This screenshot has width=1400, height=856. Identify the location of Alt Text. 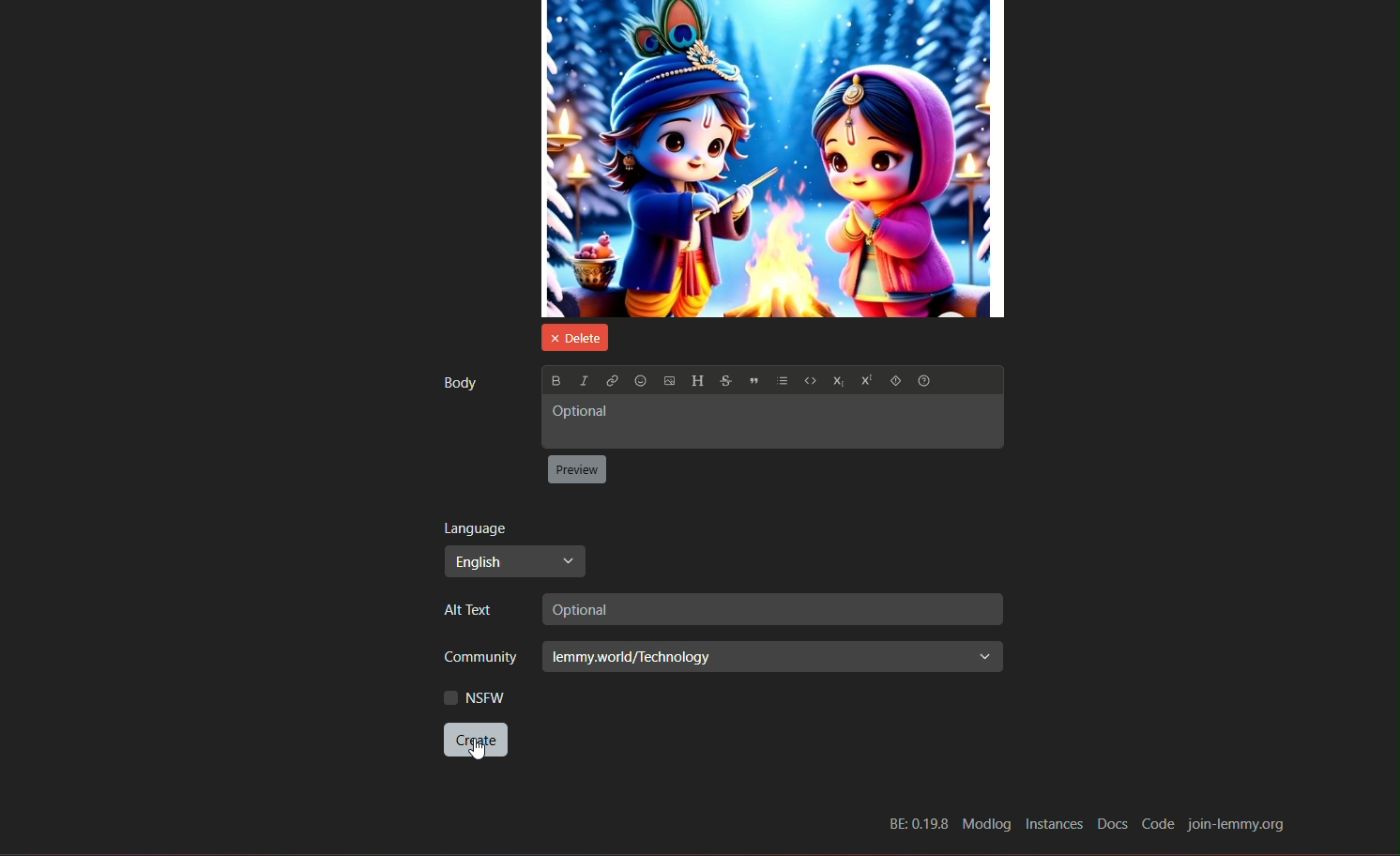
(474, 611).